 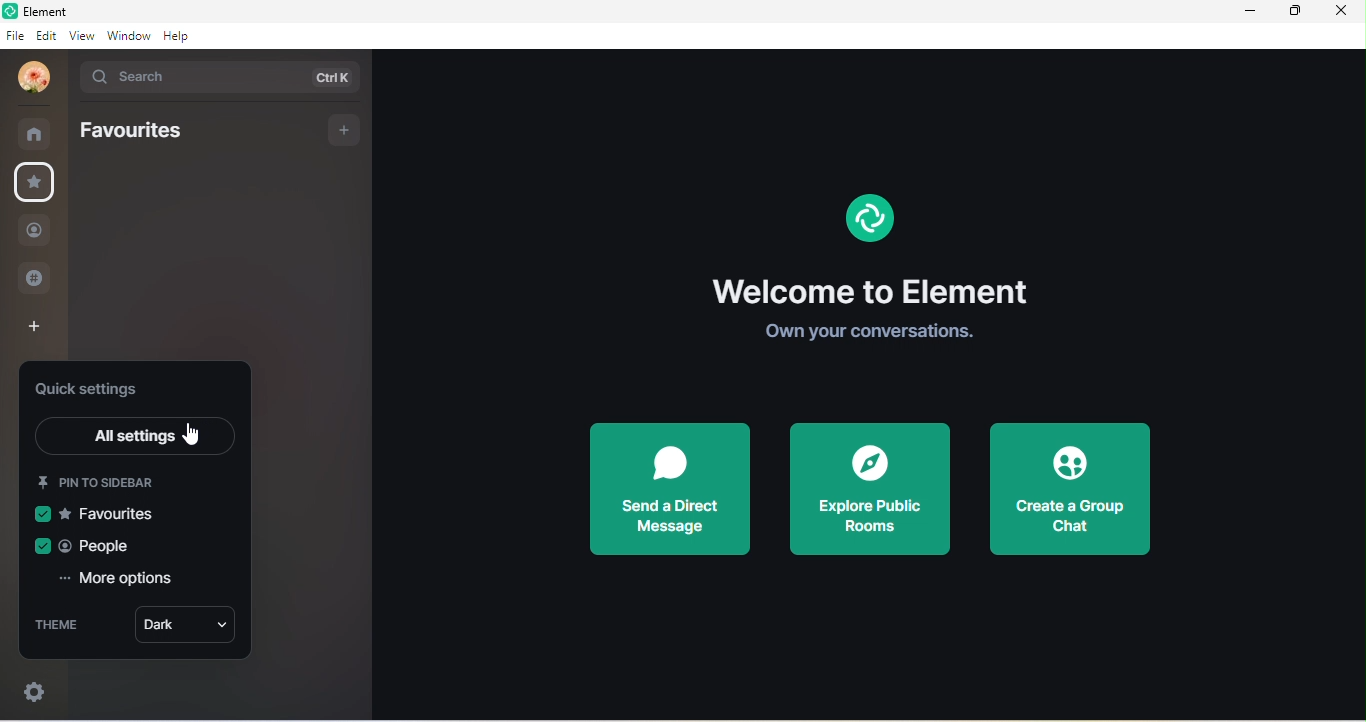 I want to click on favourites, so click(x=132, y=132).